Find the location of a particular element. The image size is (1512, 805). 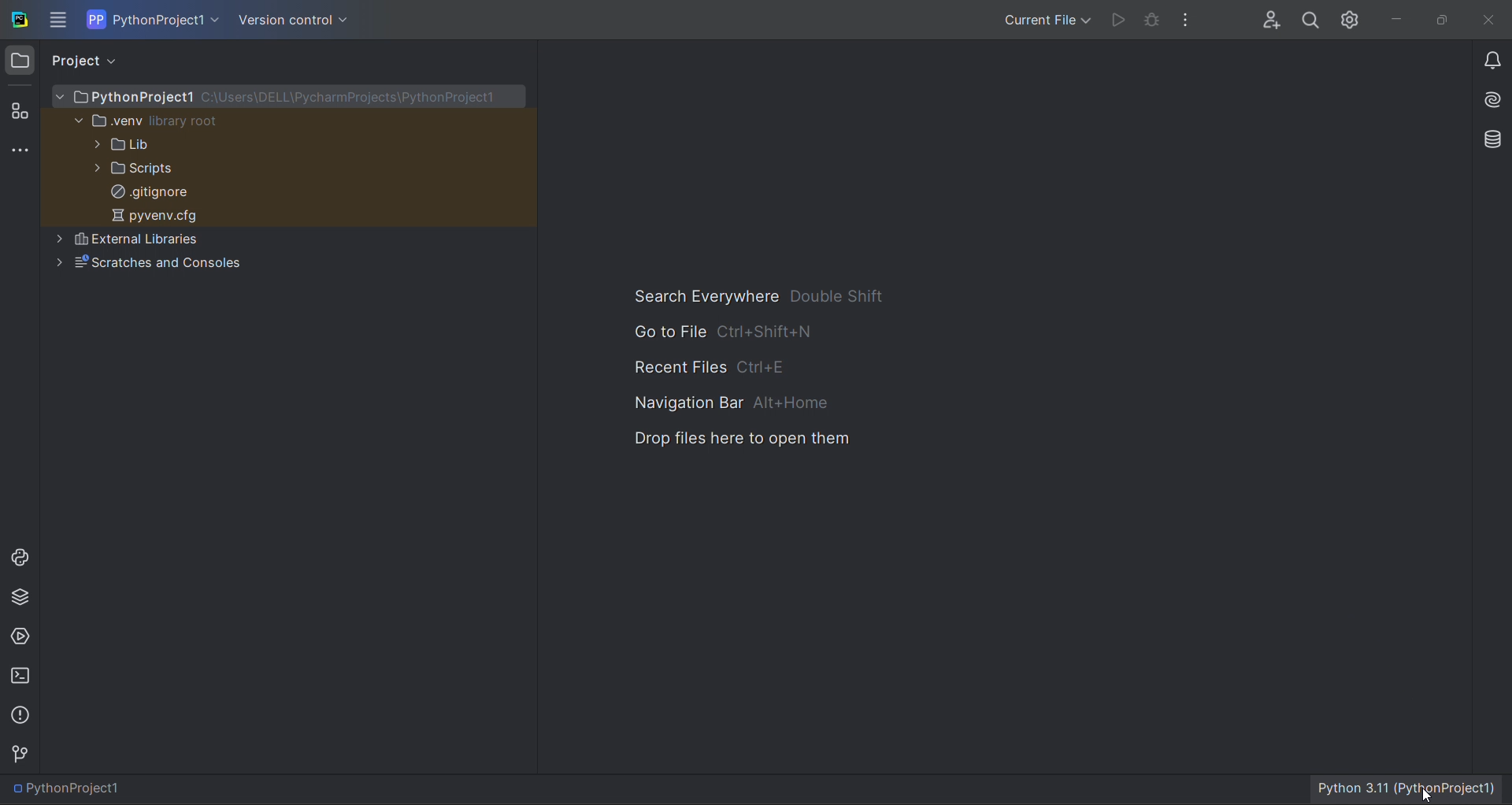

collab is located at coordinates (1265, 16).